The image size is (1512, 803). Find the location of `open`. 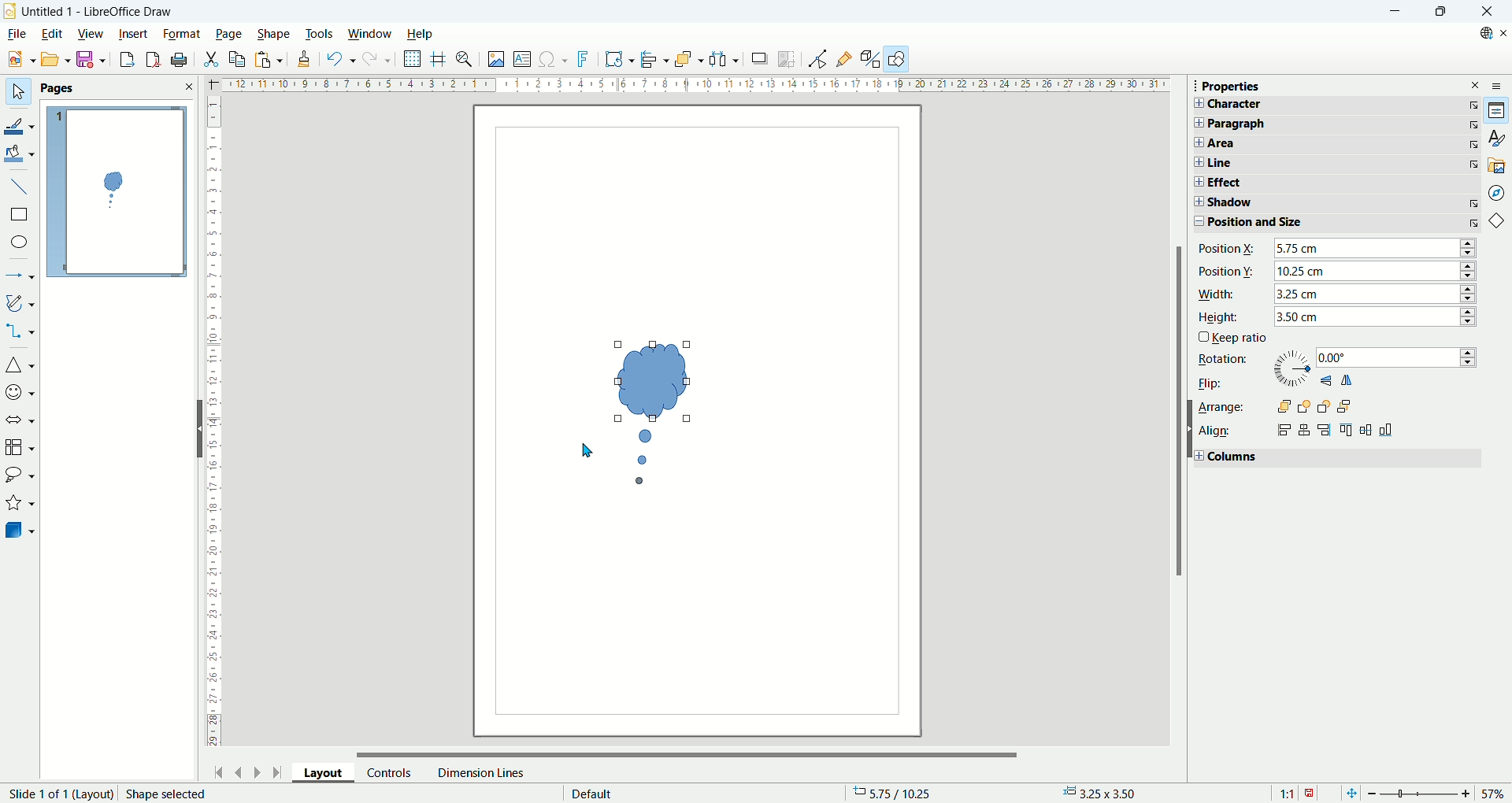

open is located at coordinates (54, 59).